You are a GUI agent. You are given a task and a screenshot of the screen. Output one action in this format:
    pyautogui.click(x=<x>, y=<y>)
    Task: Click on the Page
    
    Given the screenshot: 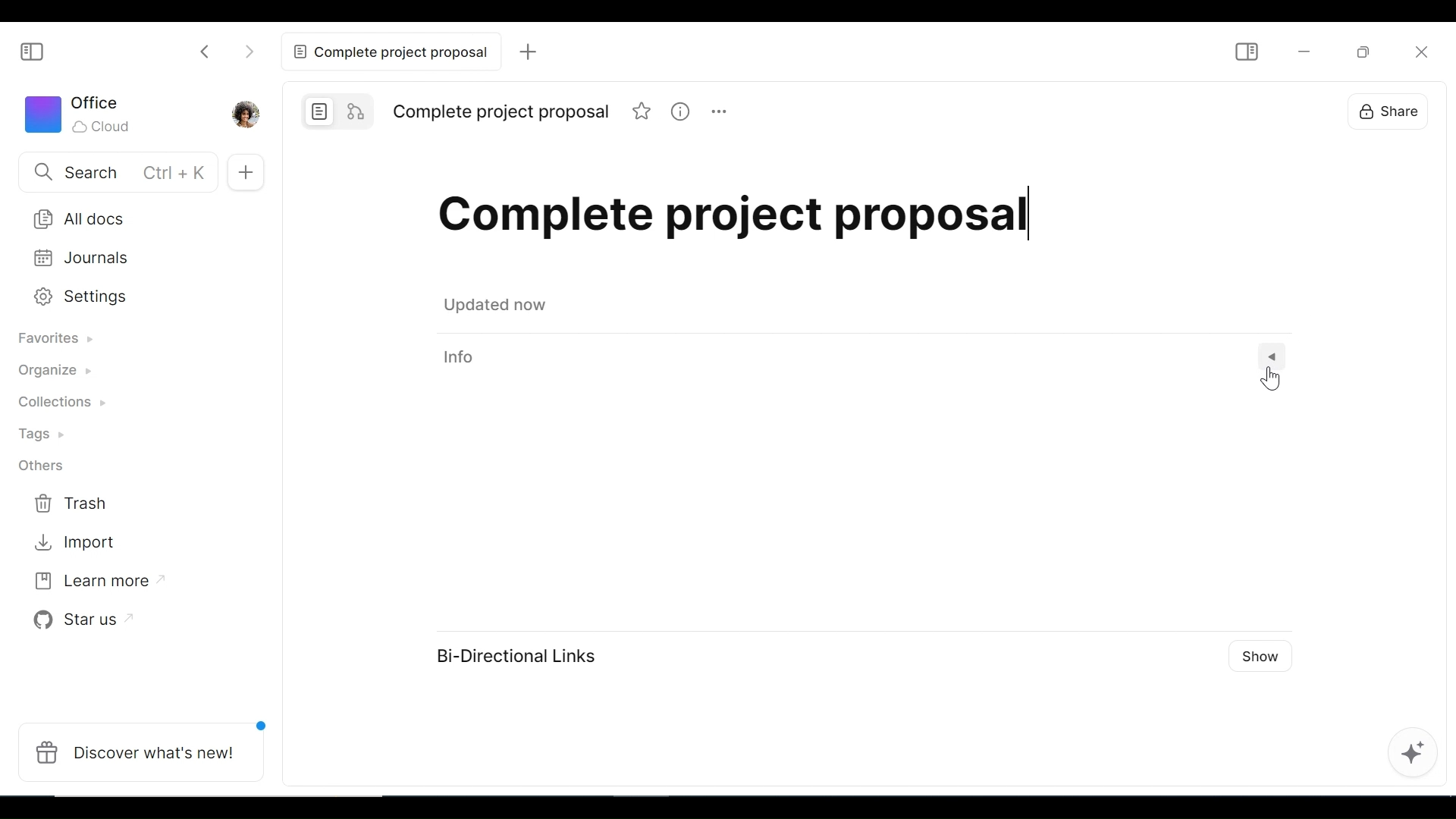 What is the action you would take?
    pyautogui.click(x=319, y=111)
    